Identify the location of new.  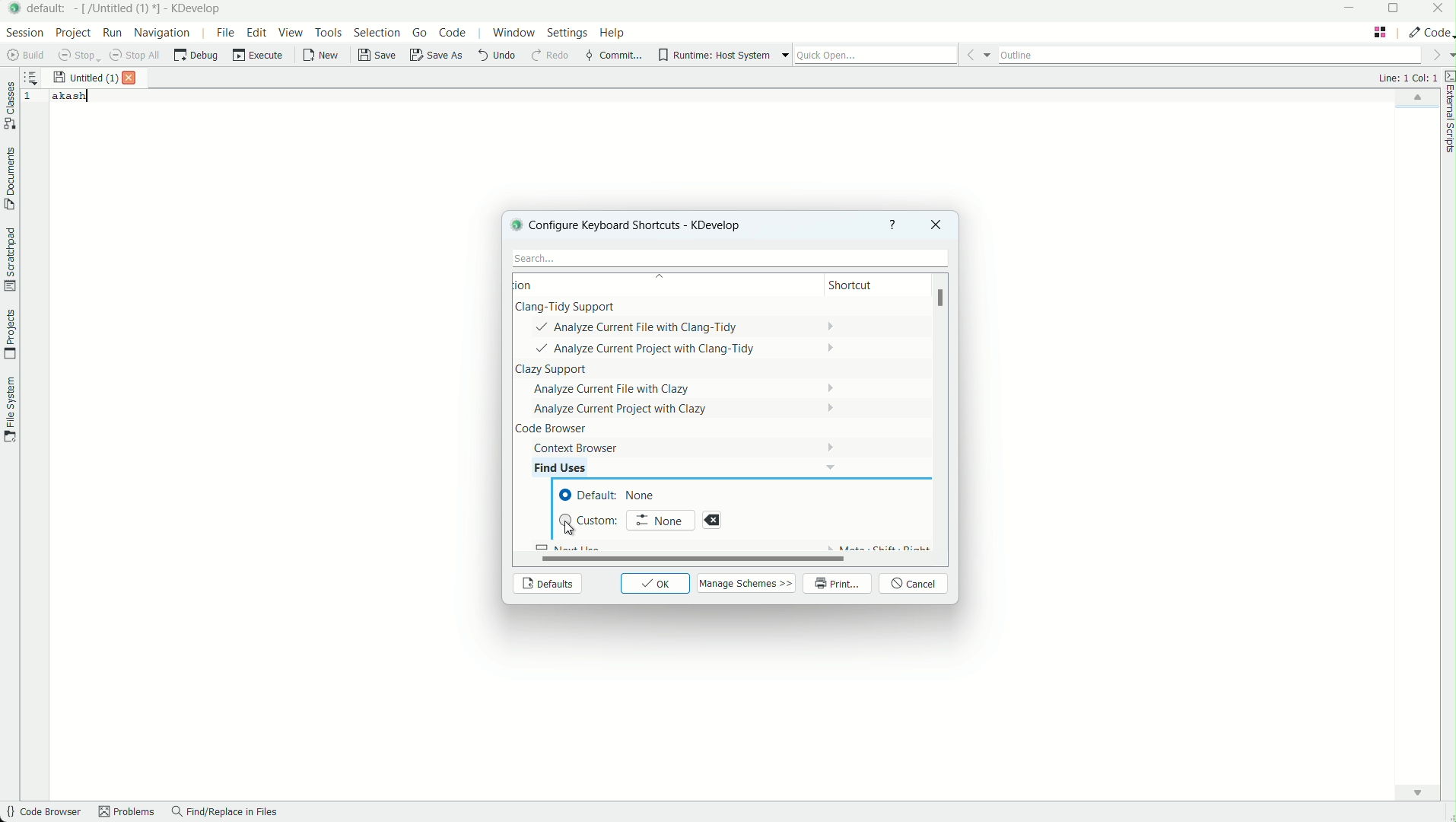
(322, 57).